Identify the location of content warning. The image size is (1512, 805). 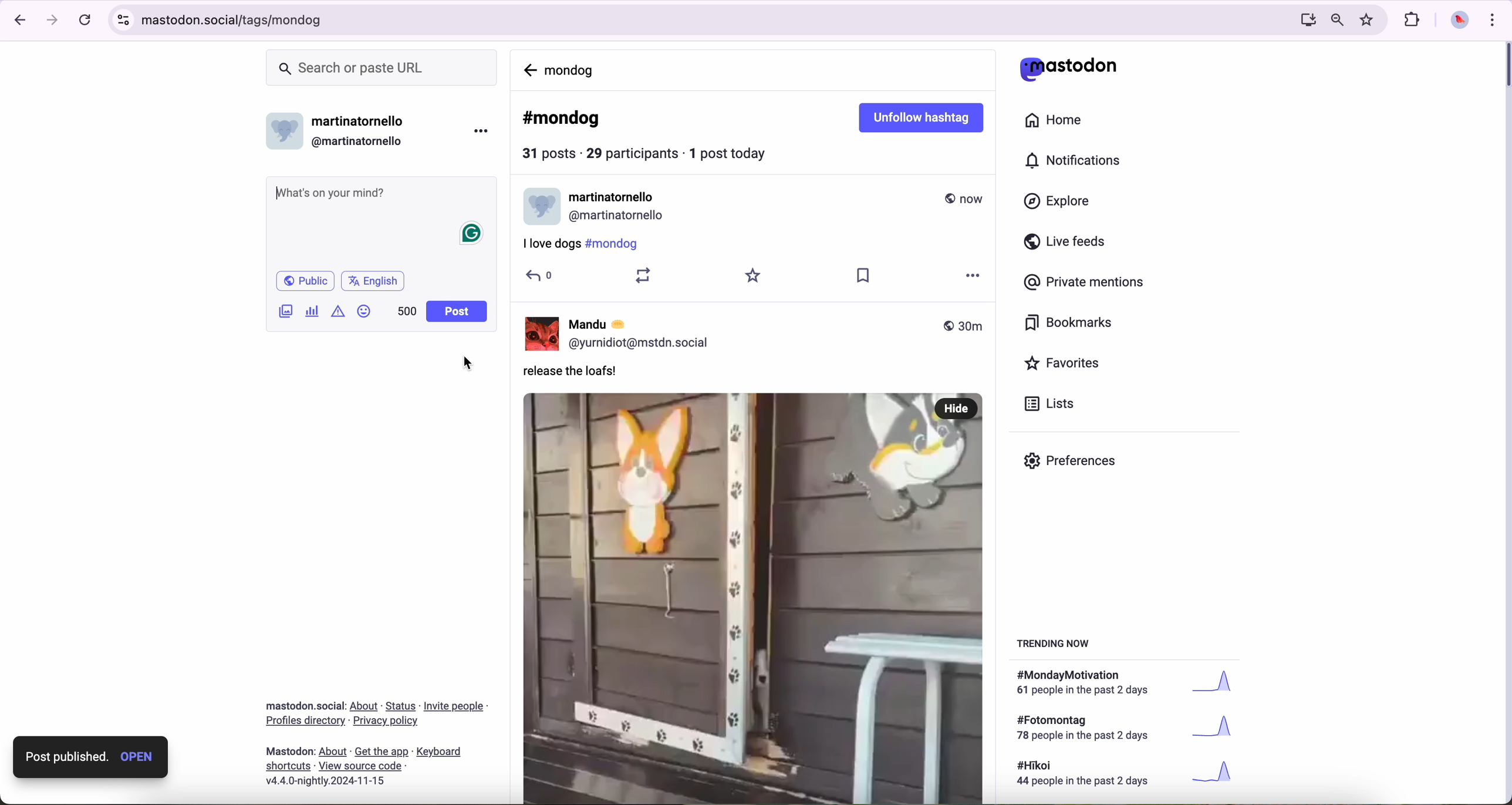
(336, 314).